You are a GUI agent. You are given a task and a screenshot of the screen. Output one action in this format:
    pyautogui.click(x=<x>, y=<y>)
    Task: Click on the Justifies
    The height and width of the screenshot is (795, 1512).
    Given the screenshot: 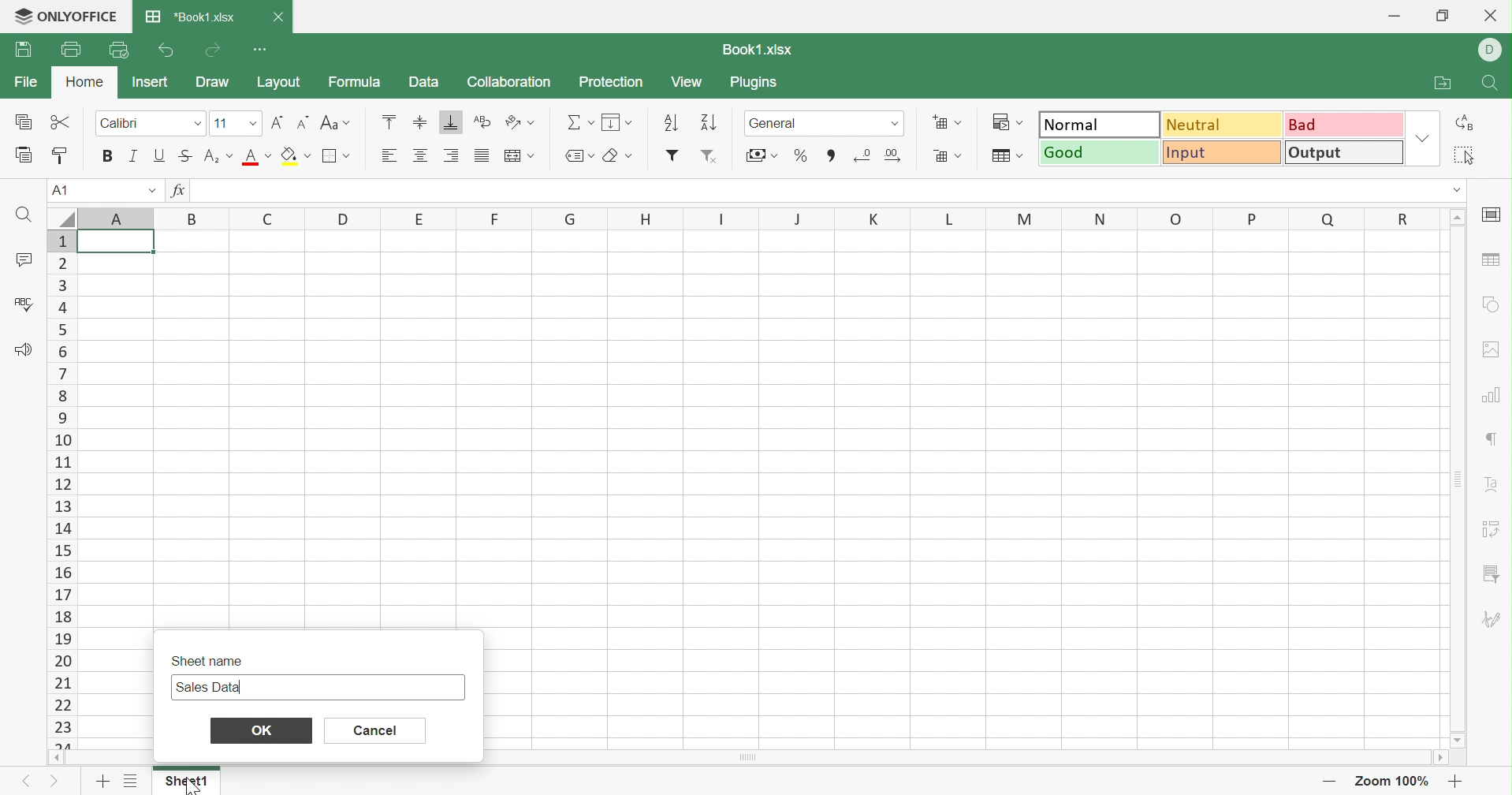 What is the action you would take?
    pyautogui.click(x=483, y=155)
    